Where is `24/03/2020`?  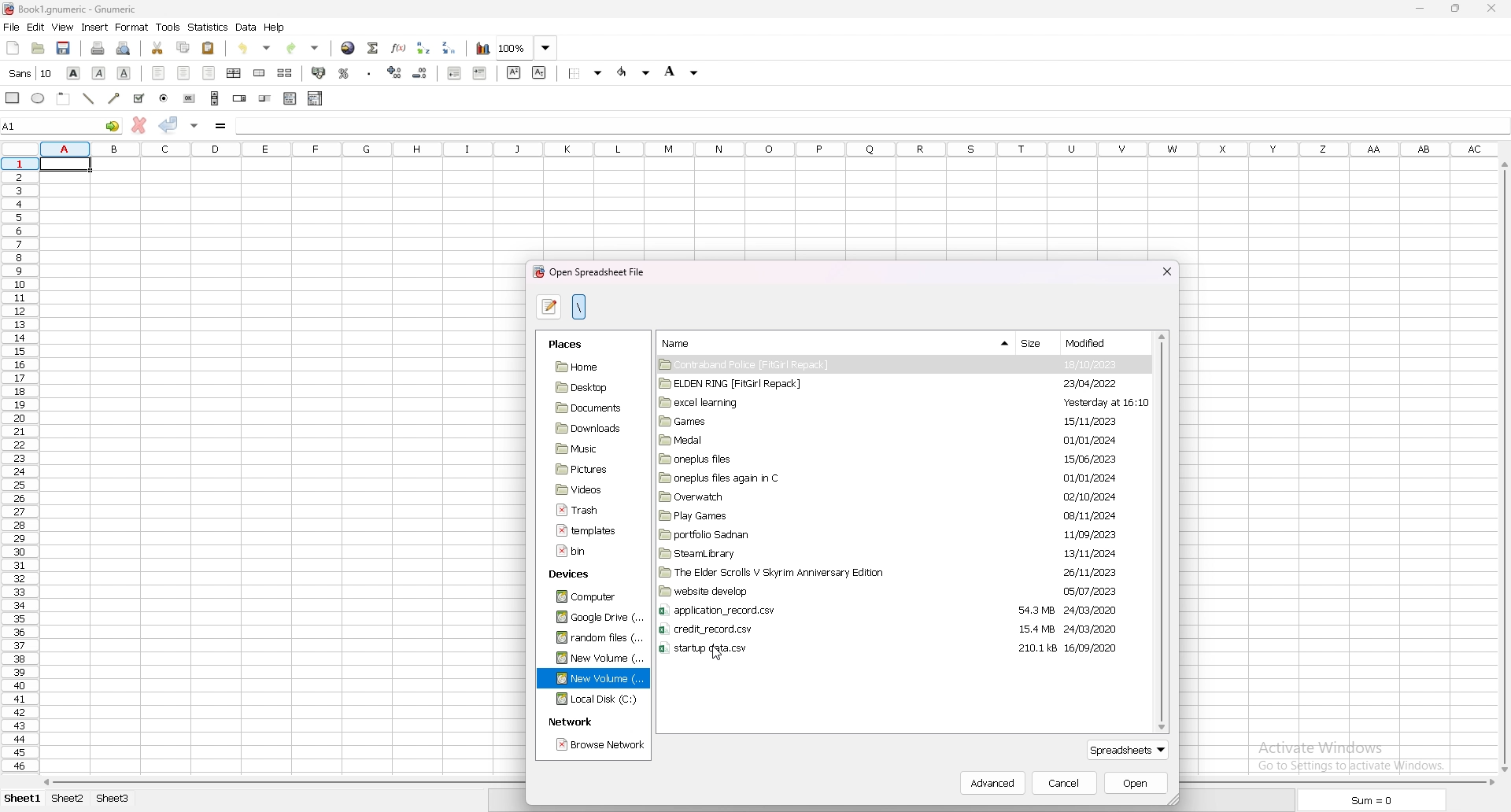
24/03/2020 is located at coordinates (1093, 609).